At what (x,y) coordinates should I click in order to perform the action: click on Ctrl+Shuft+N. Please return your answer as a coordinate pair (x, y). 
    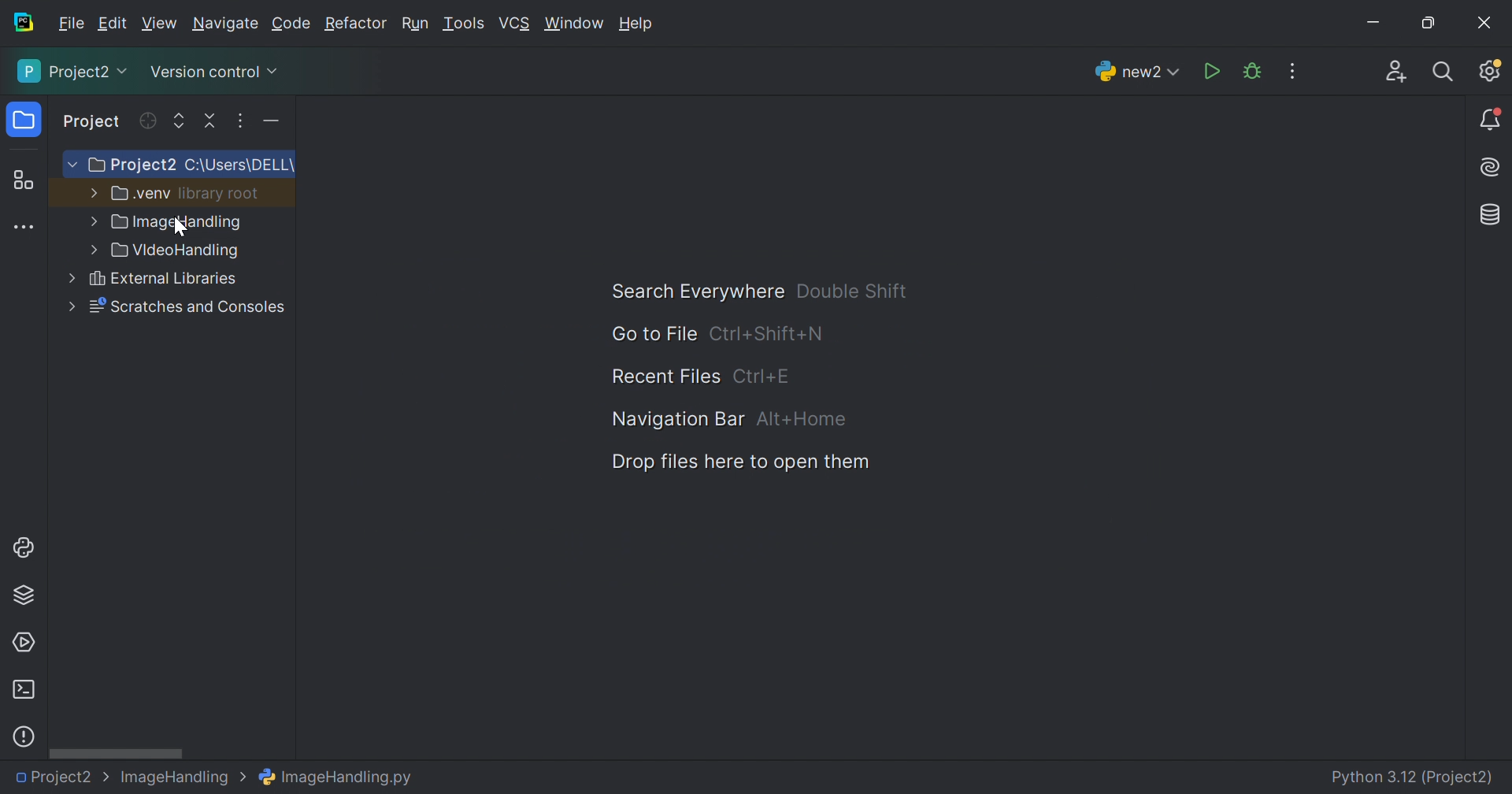
    Looking at the image, I should click on (766, 335).